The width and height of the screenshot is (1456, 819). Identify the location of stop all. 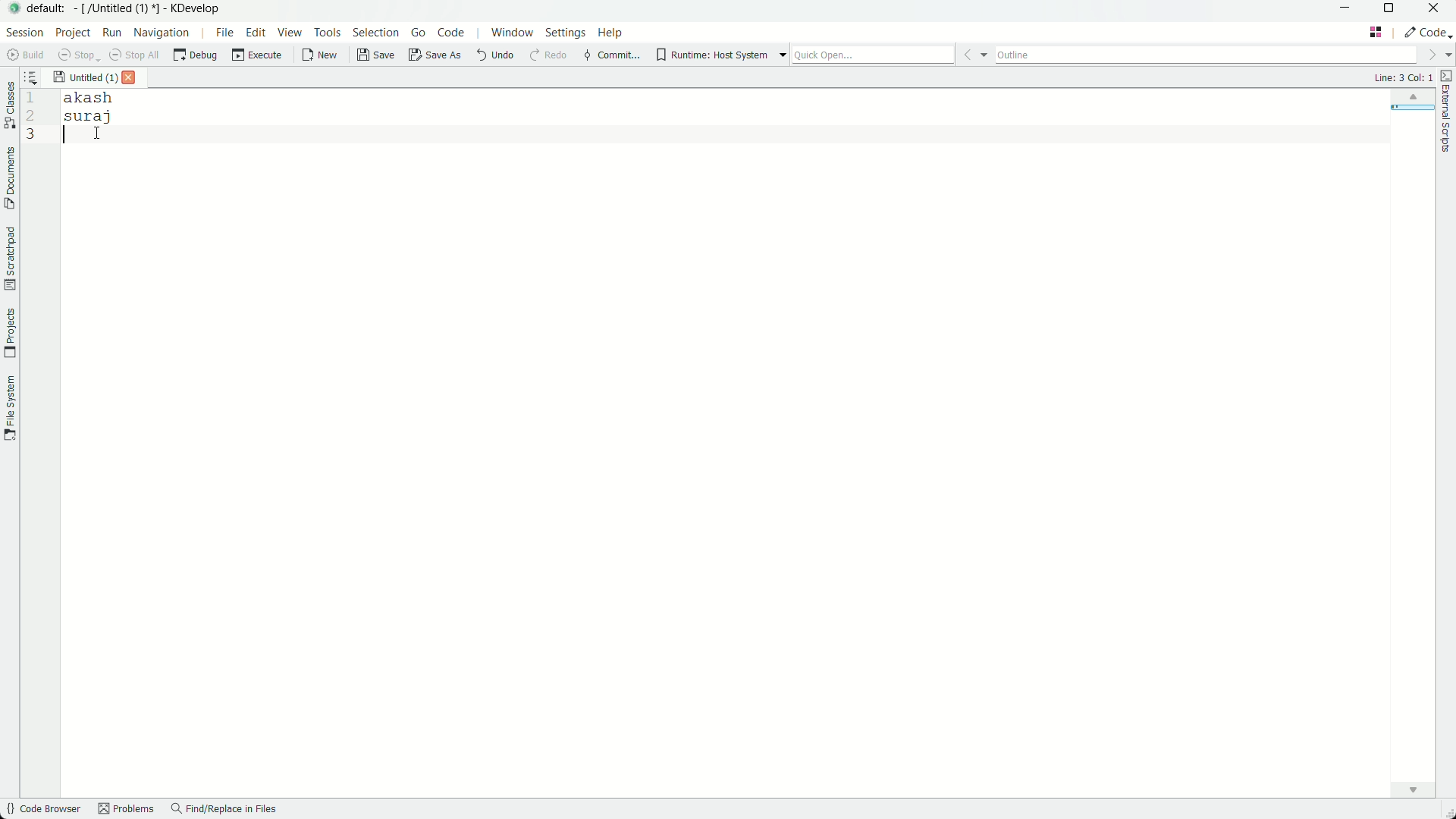
(133, 55).